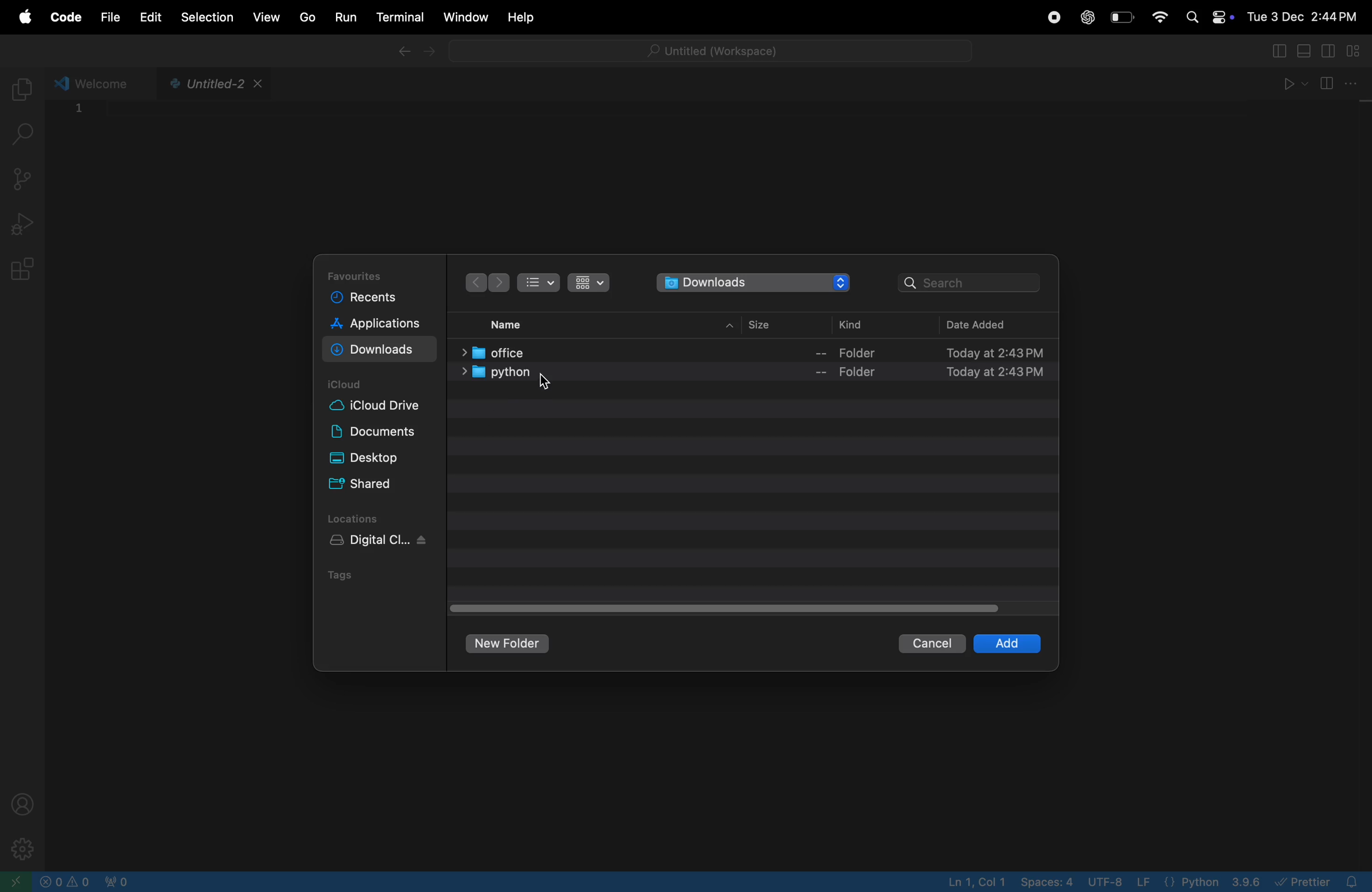 The image size is (1372, 892). I want to click on shared, so click(374, 485).